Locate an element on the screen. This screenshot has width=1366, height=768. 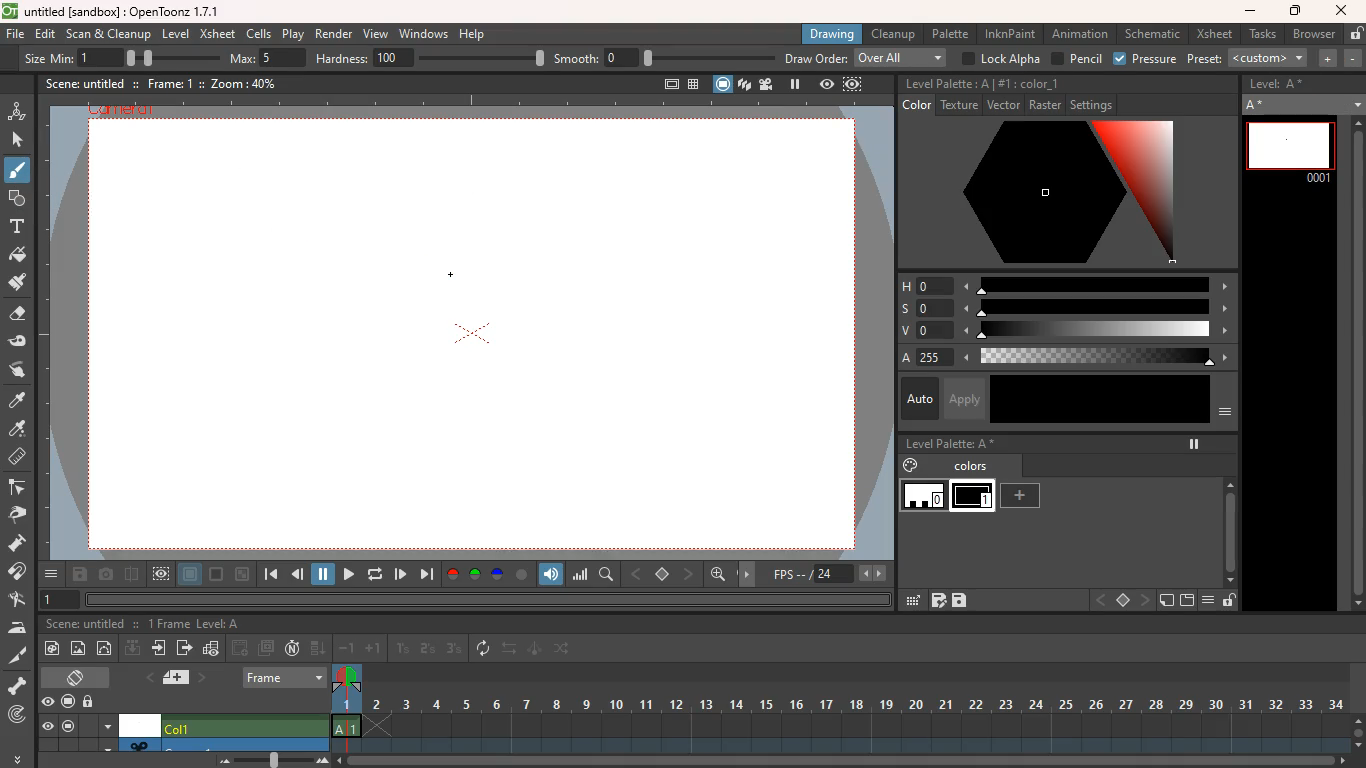
screen is located at coordinates (217, 575).